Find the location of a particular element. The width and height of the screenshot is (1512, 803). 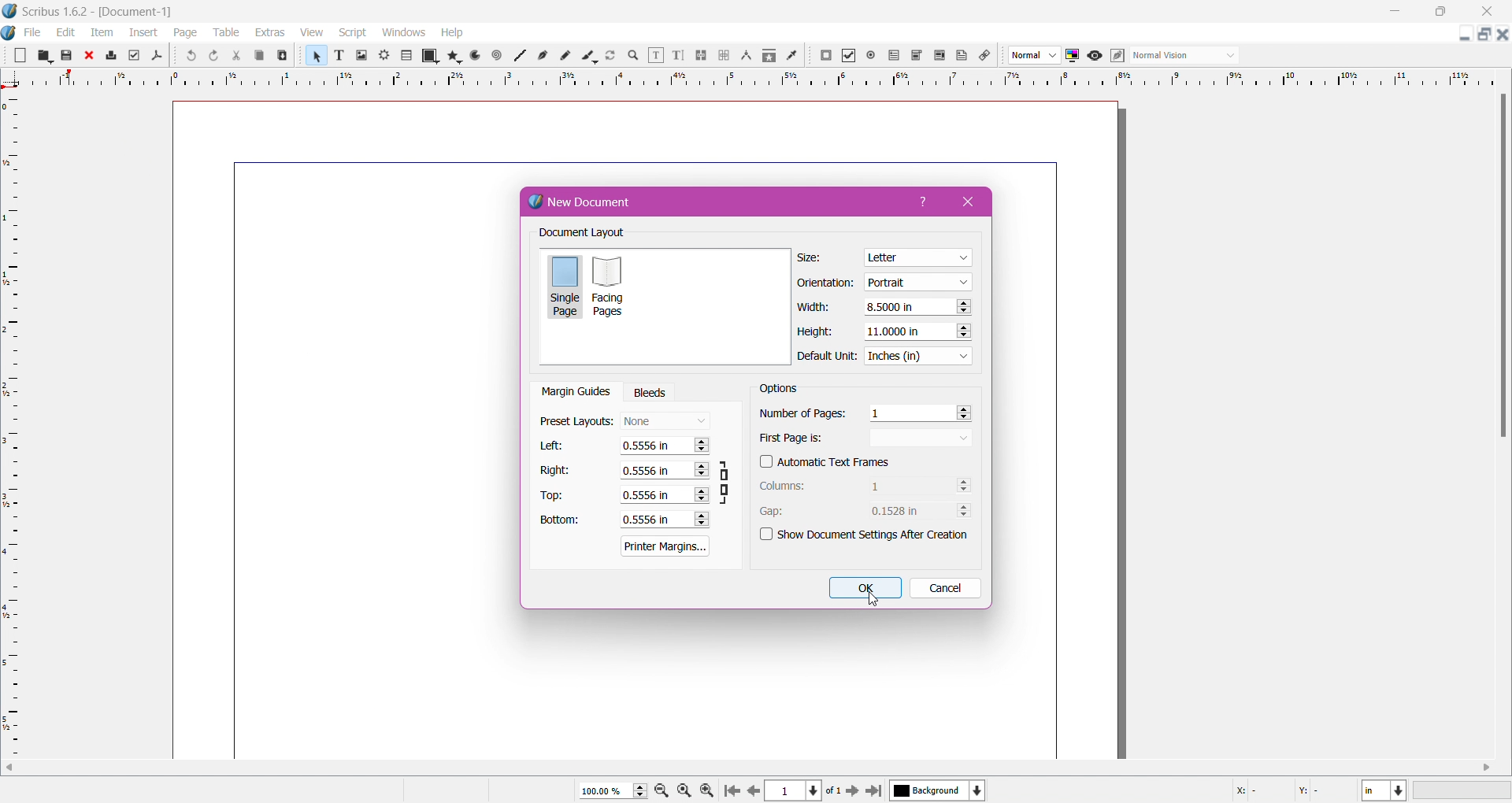

icon is located at coordinates (697, 57).